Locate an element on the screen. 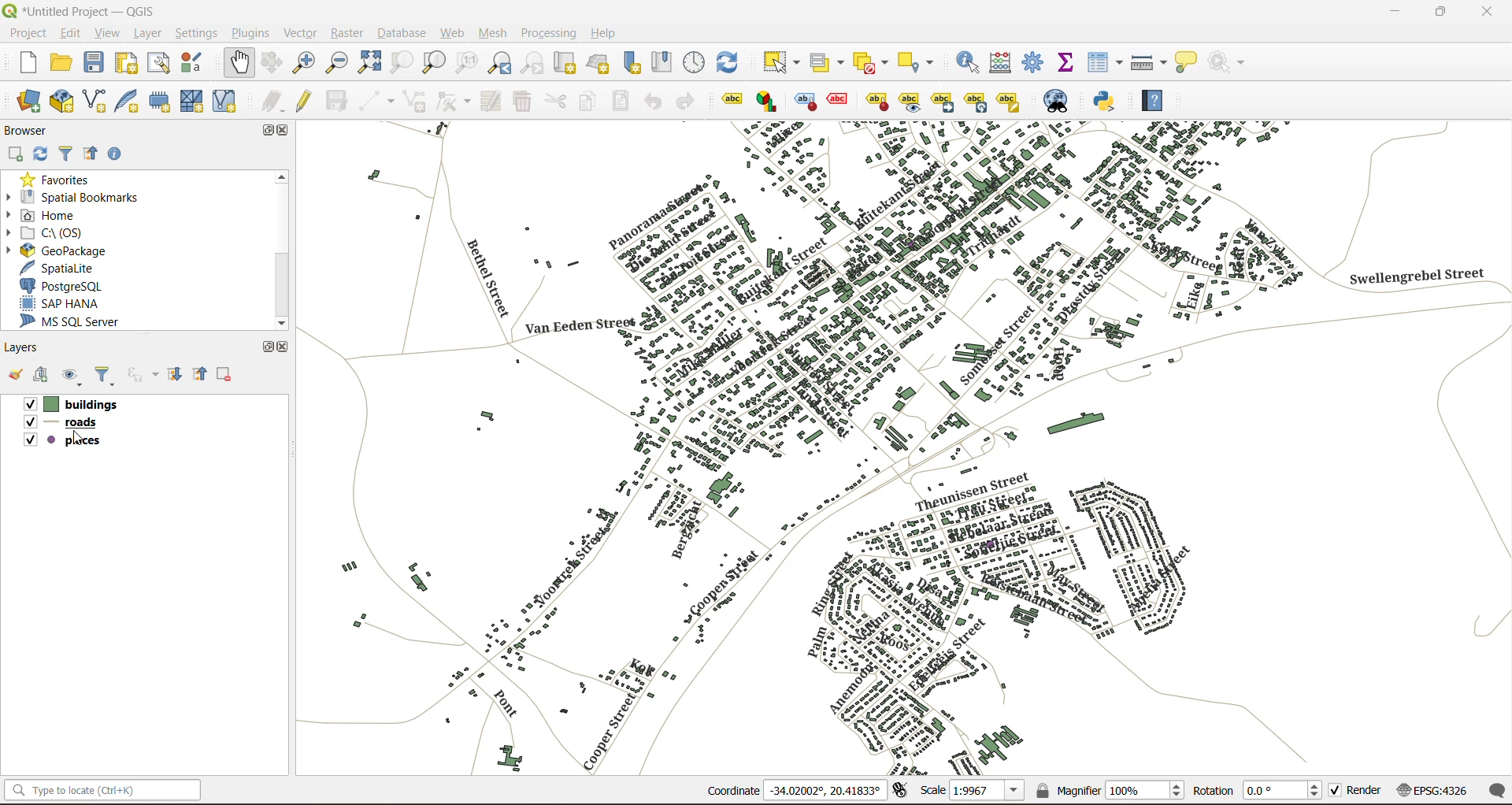 The image size is (1512, 805). new mesh layer is located at coordinates (190, 102).